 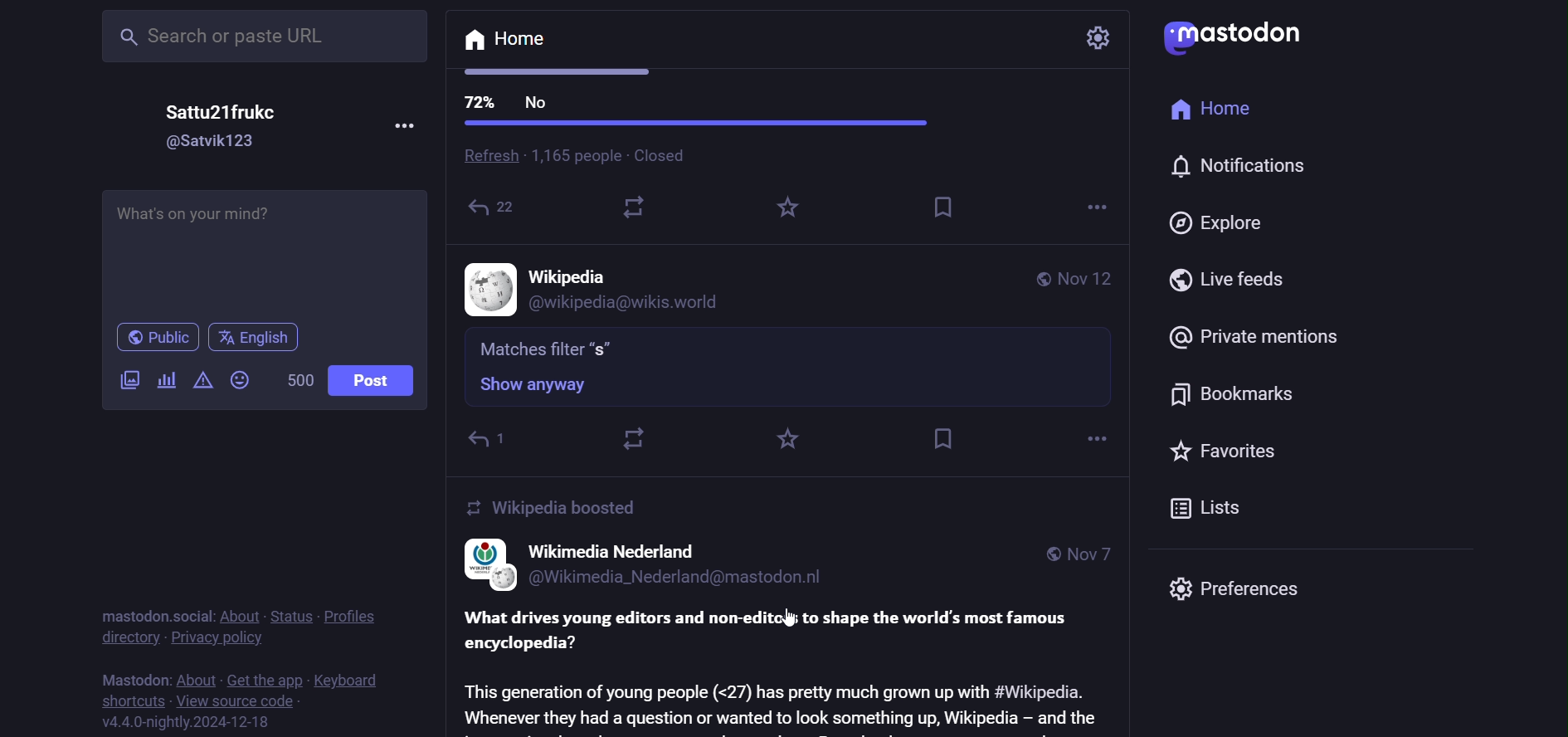 What do you see at coordinates (270, 680) in the screenshot?
I see `get the app` at bounding box center [270, 680].